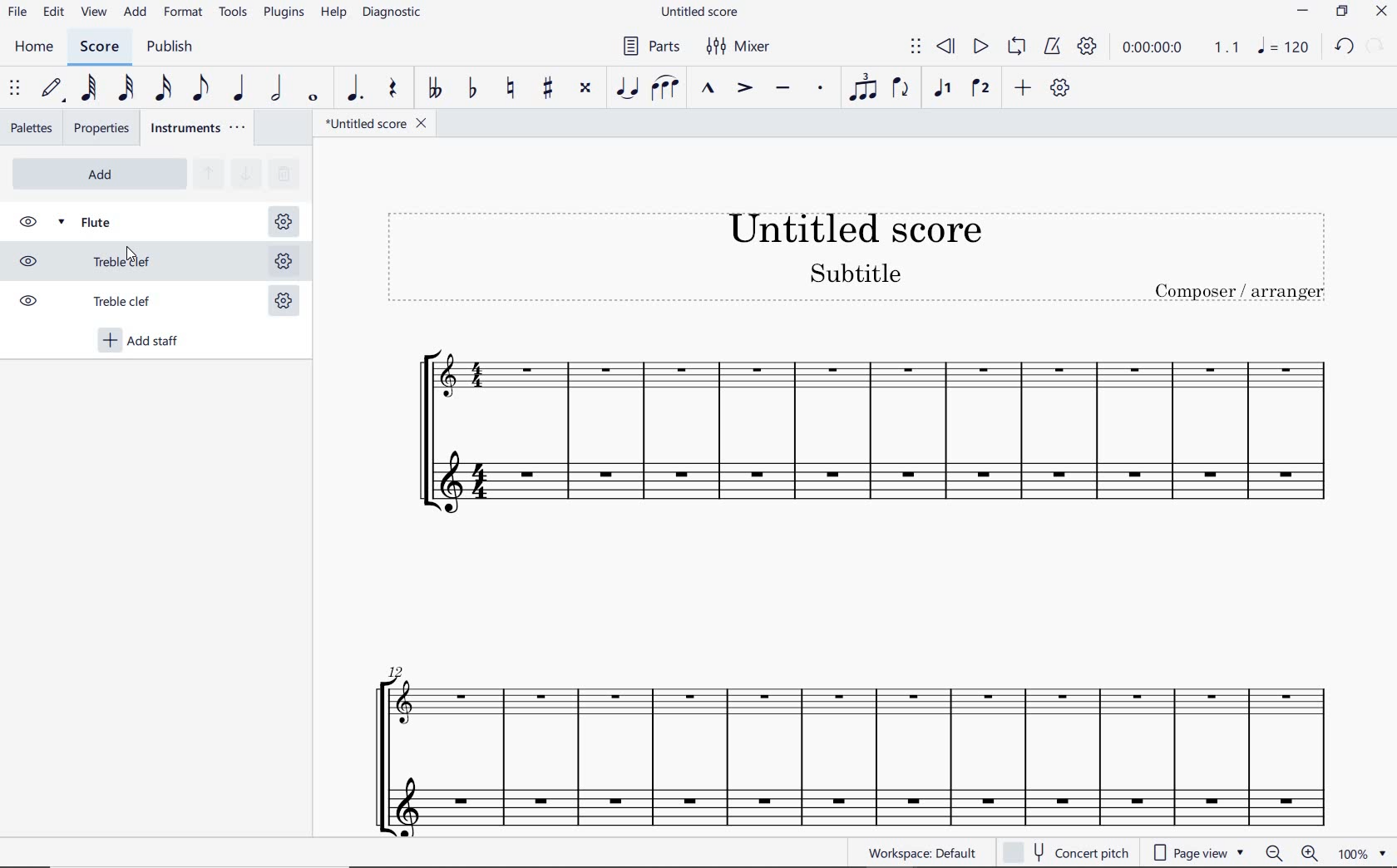 The width and height of the screenshot is (1397, 868). I want to click on STACCATO, so click(818, 88).